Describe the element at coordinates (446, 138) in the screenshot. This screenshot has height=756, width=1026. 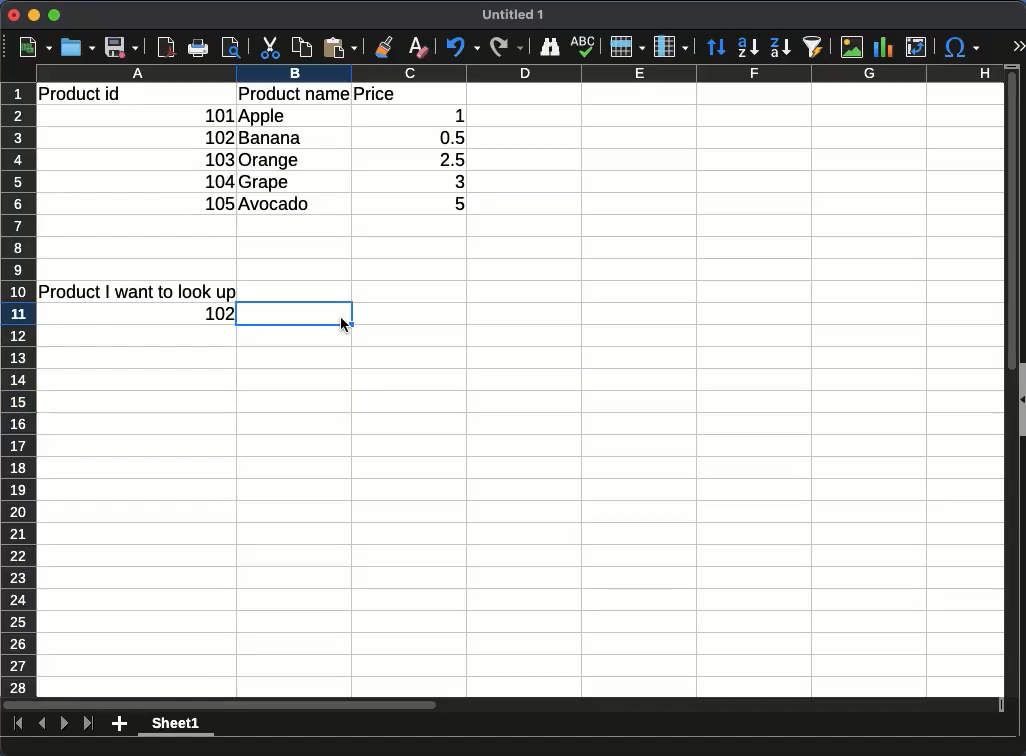
I see `0.5` at that location.